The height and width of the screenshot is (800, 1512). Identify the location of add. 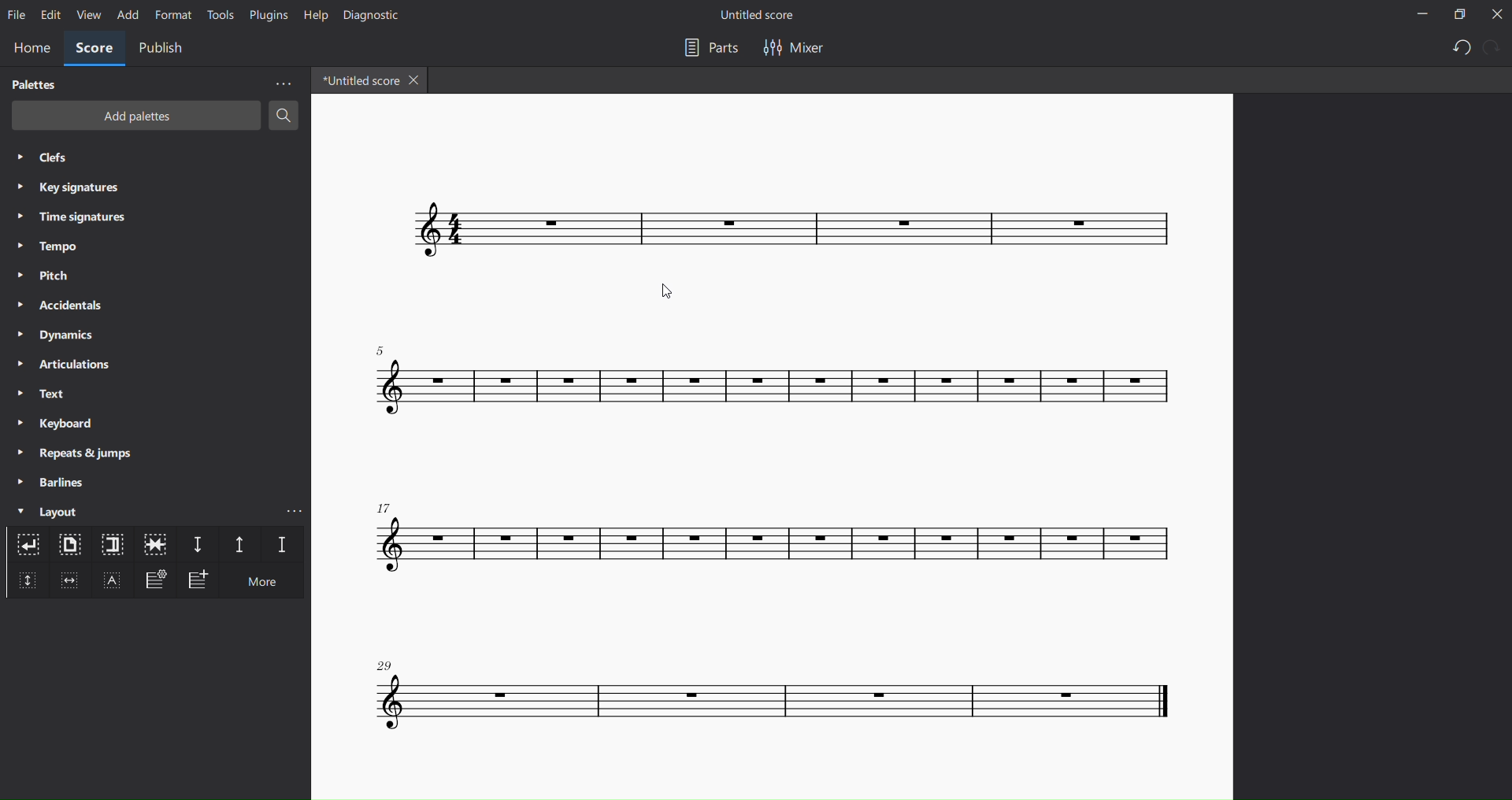
(127, 16).